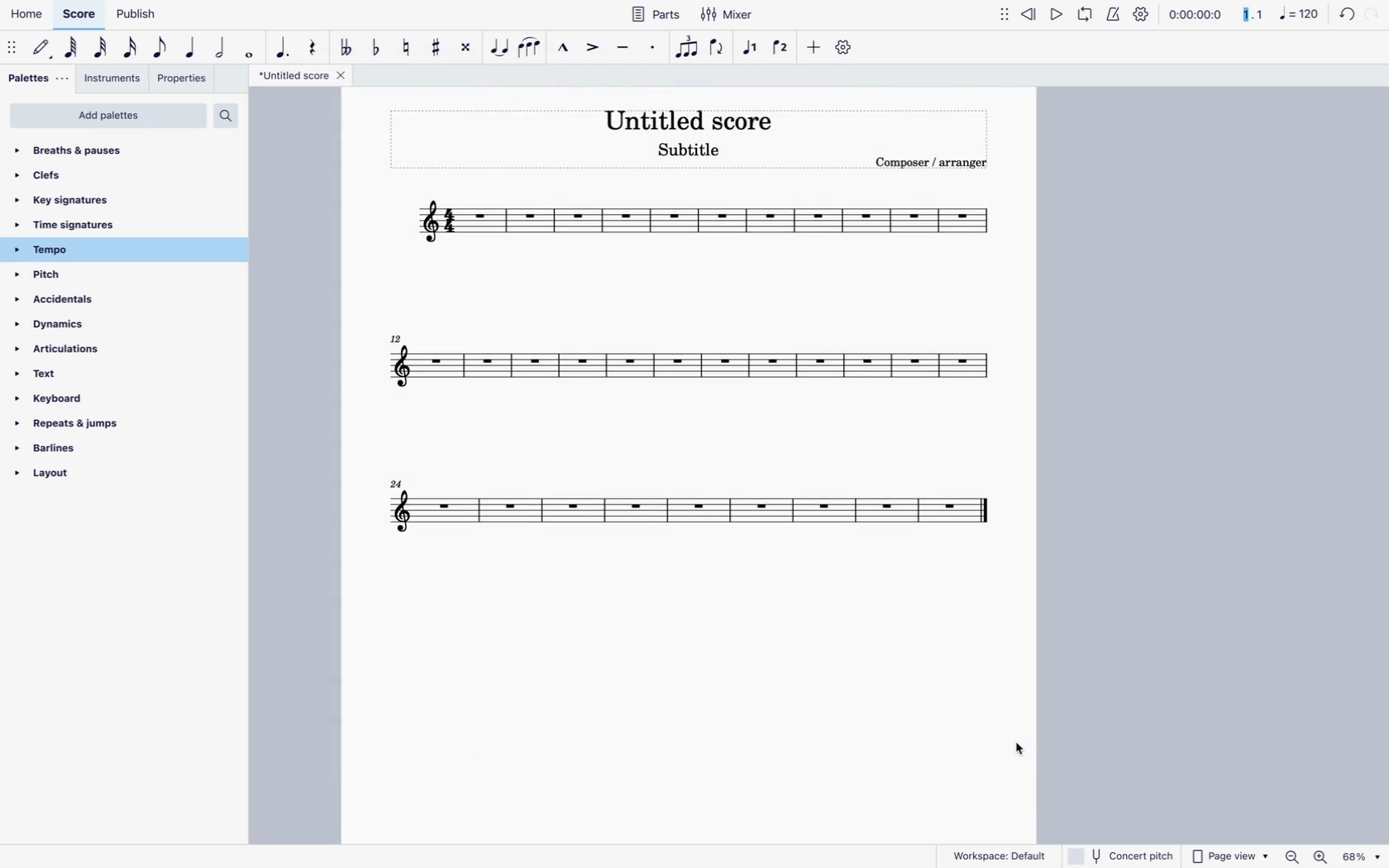  Describe the element at coordinates (53, 379) in the screenshot. I see `text` at that location.